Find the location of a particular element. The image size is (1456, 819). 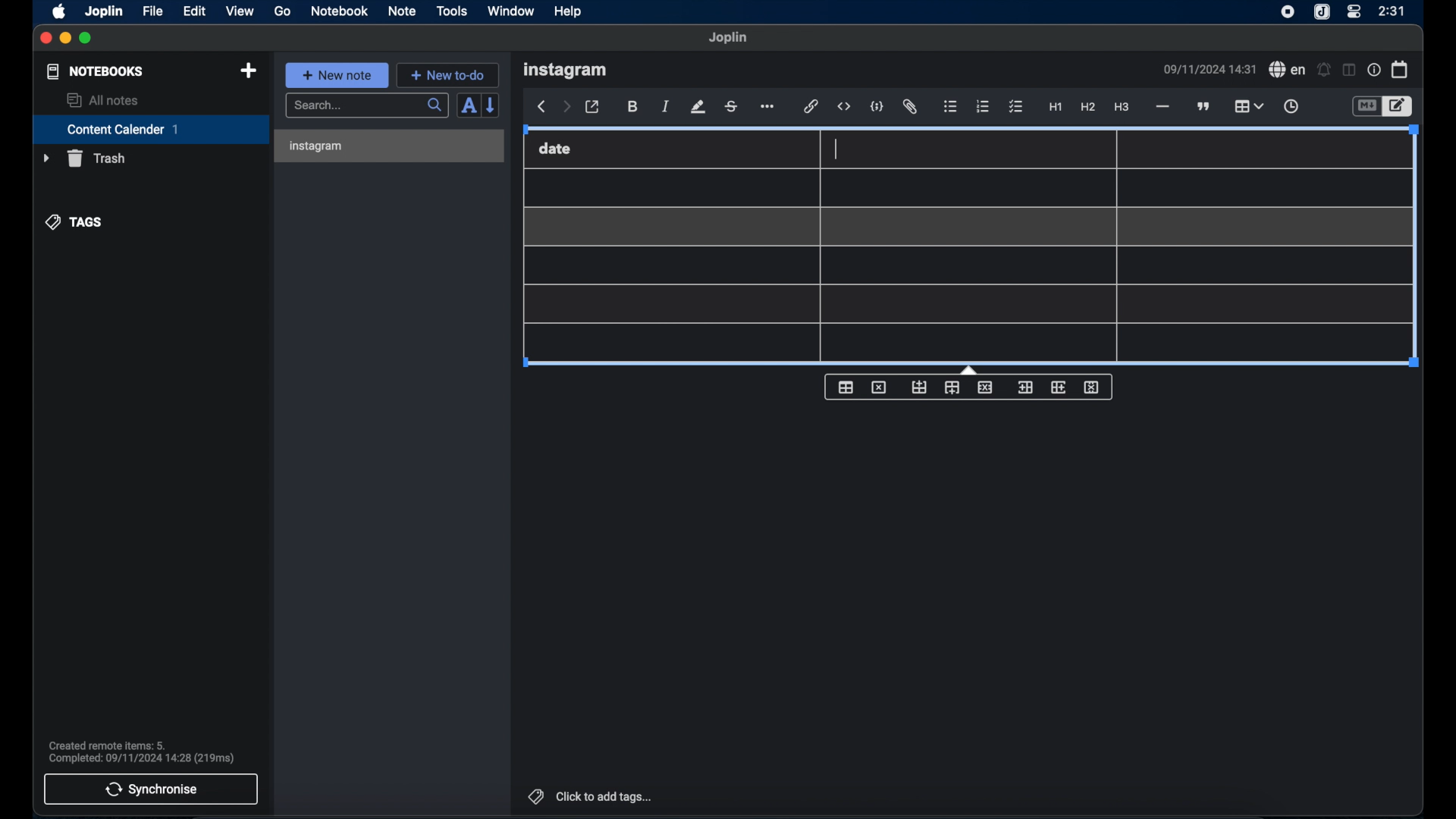

new to-do is located at coordinates (447, 75).